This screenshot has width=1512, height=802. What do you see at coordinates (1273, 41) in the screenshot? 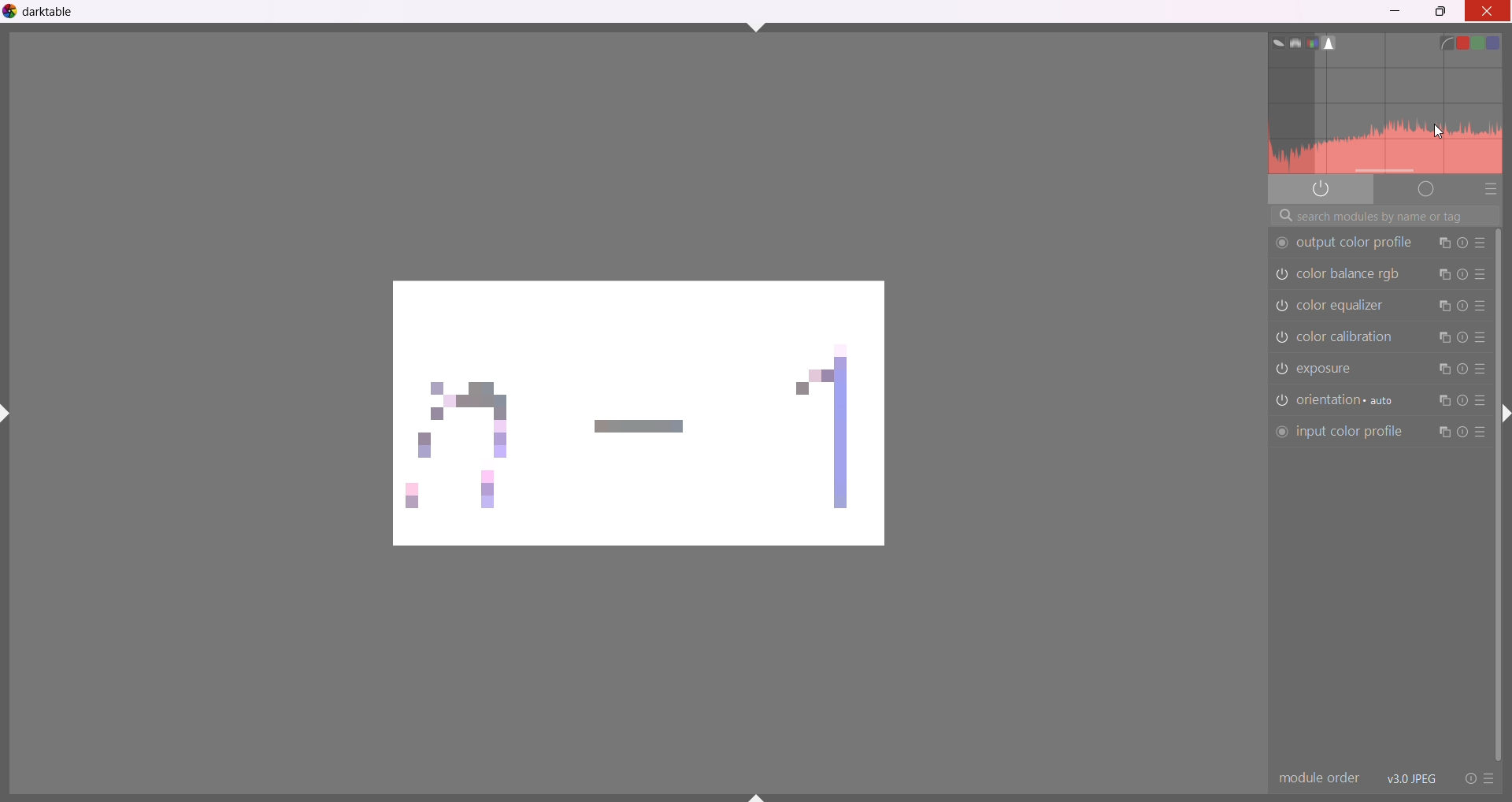
I see `vector scope` at bounding box center [1273, 41].